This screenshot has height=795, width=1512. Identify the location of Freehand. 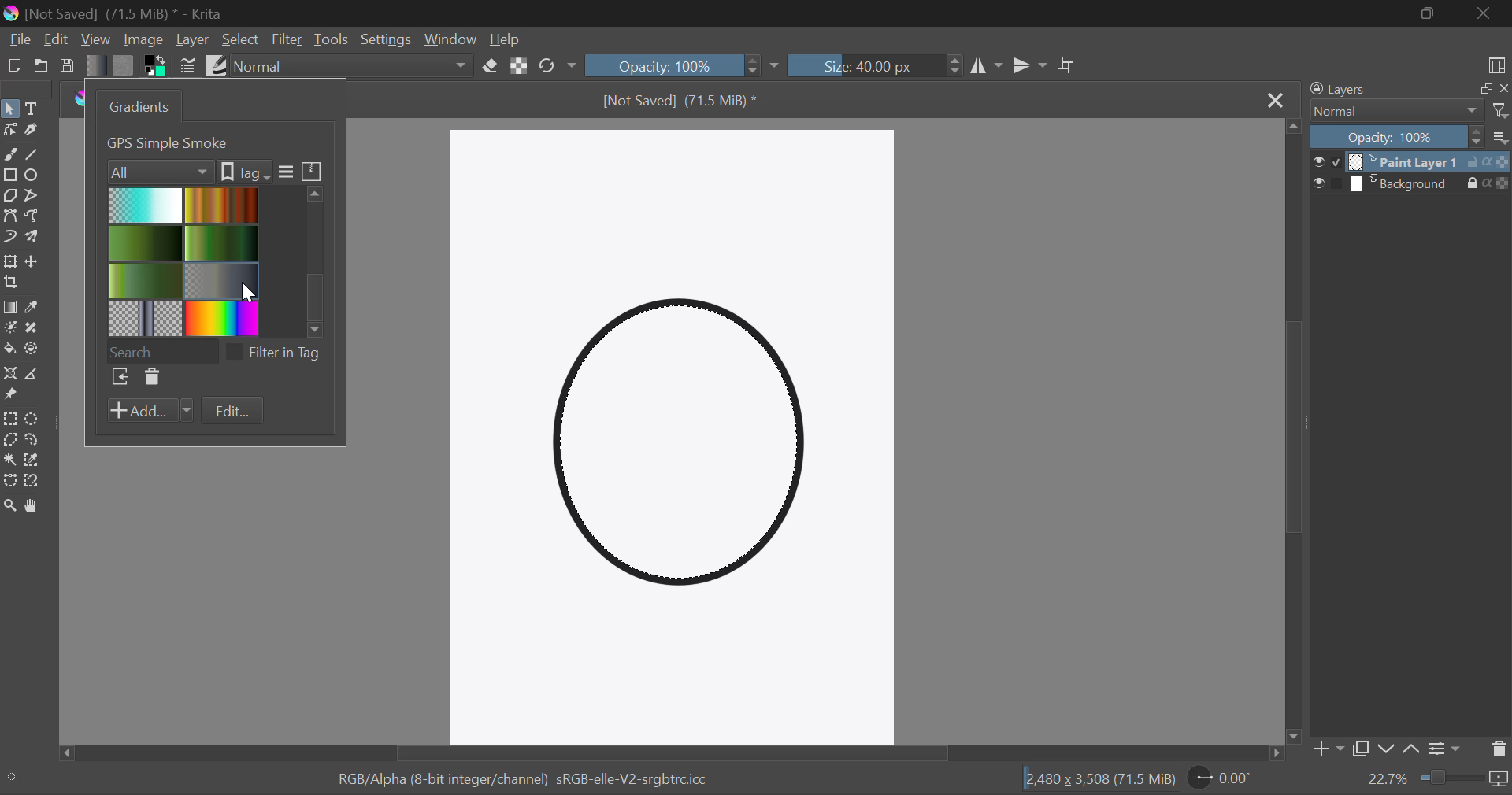
(9, 155).